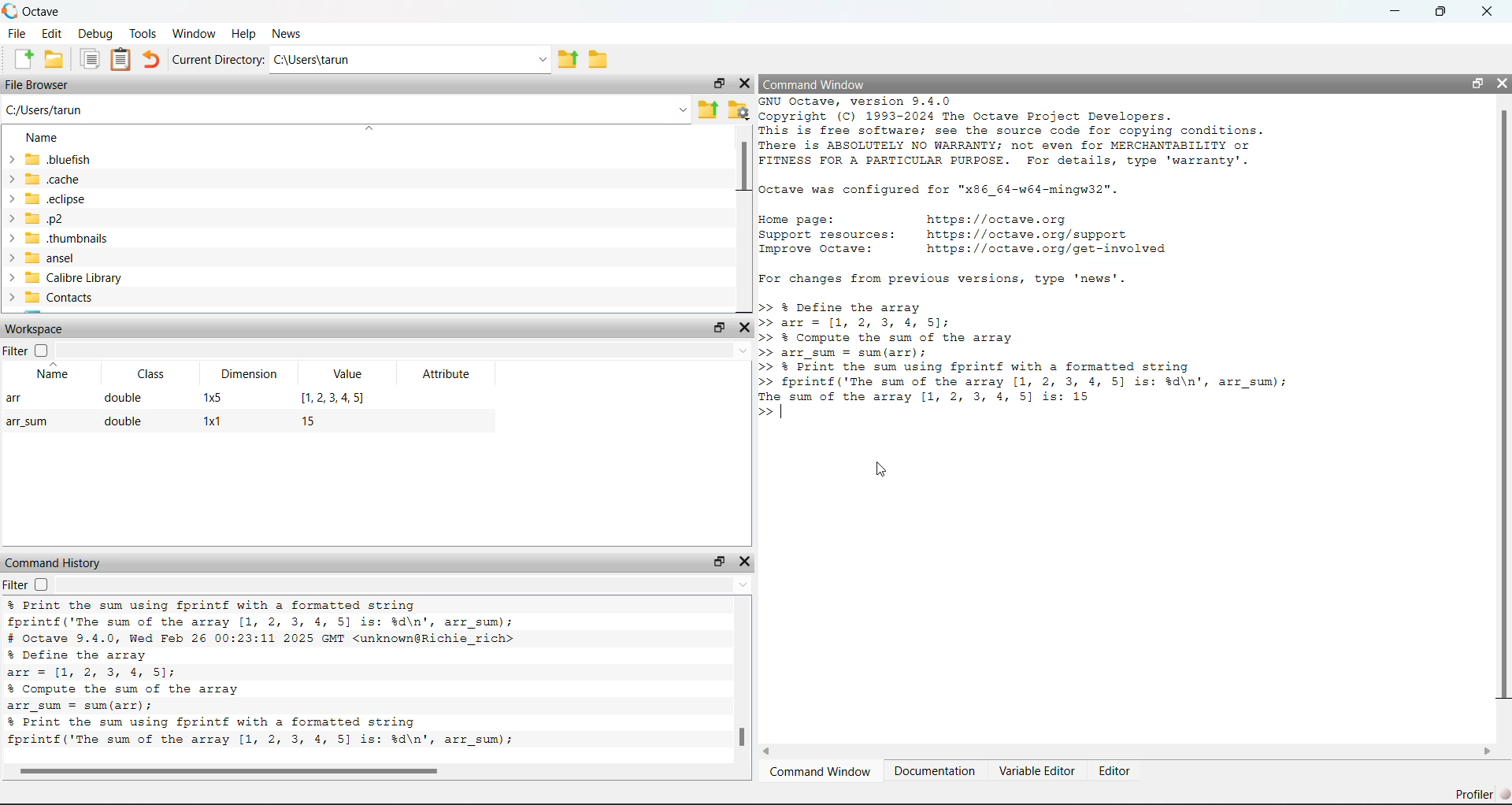 The height and width of the screenshot is (805, 1512). Describe the element at coordinates (1500, 83) in the screenshot. I see `Close` at that location.